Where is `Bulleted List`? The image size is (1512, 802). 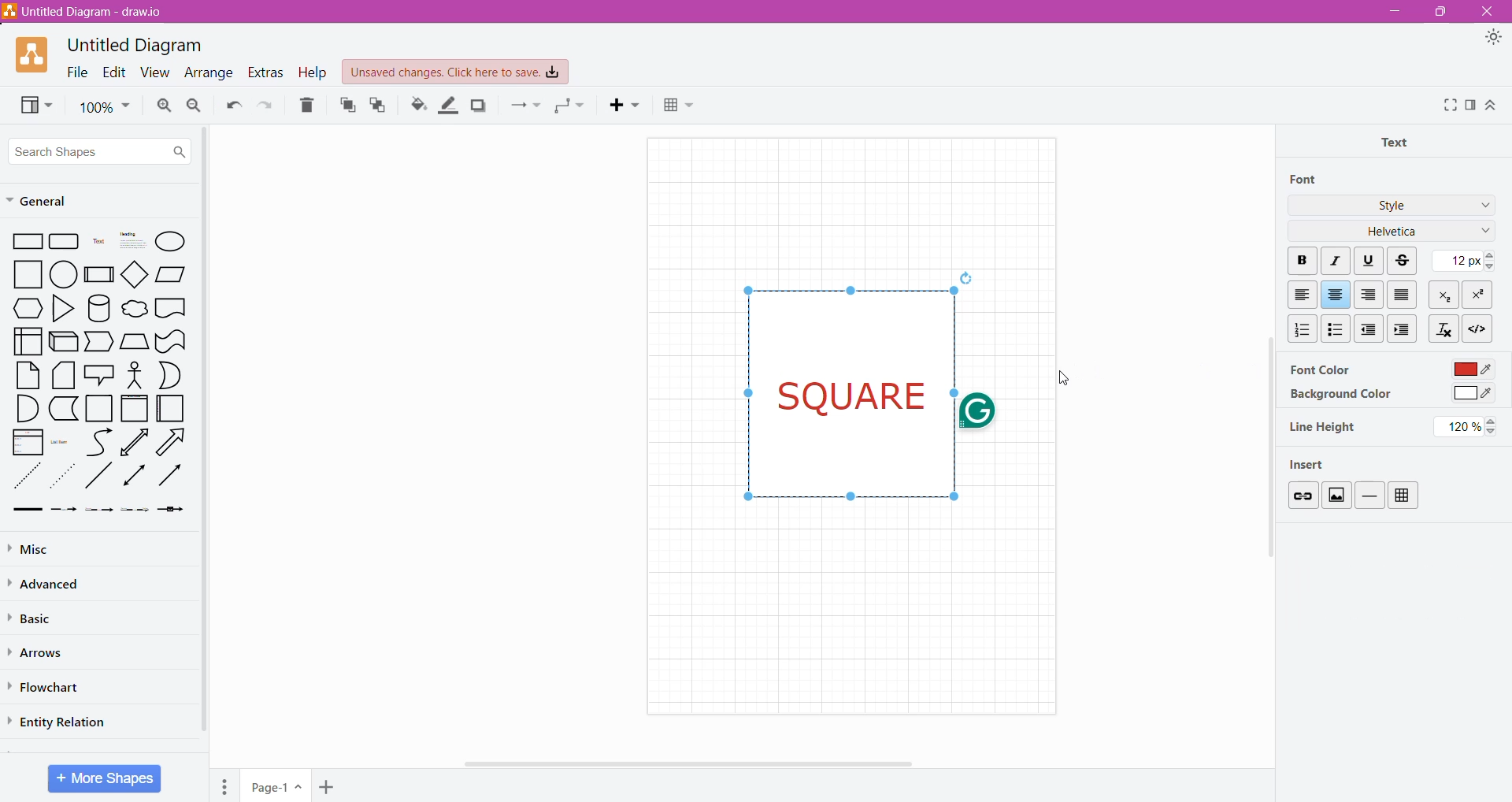 Bulleted List is located at coordinates (1335, 328).